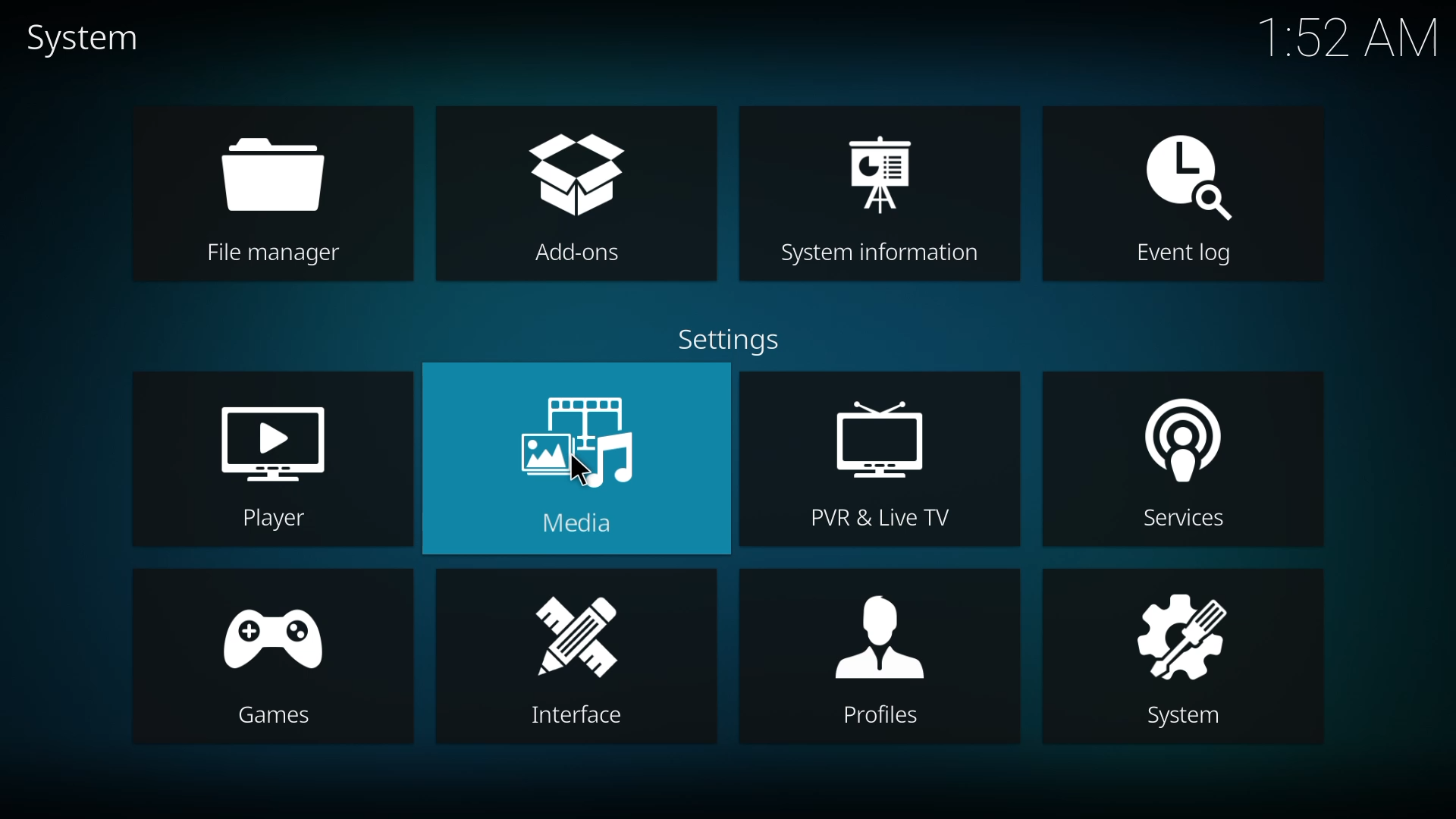 The width and height of the screenshot is (1456, 819). What do you see at coordinates (583, 470) in the screenshot?
I see `cursor` at bounding box center [583, 470].